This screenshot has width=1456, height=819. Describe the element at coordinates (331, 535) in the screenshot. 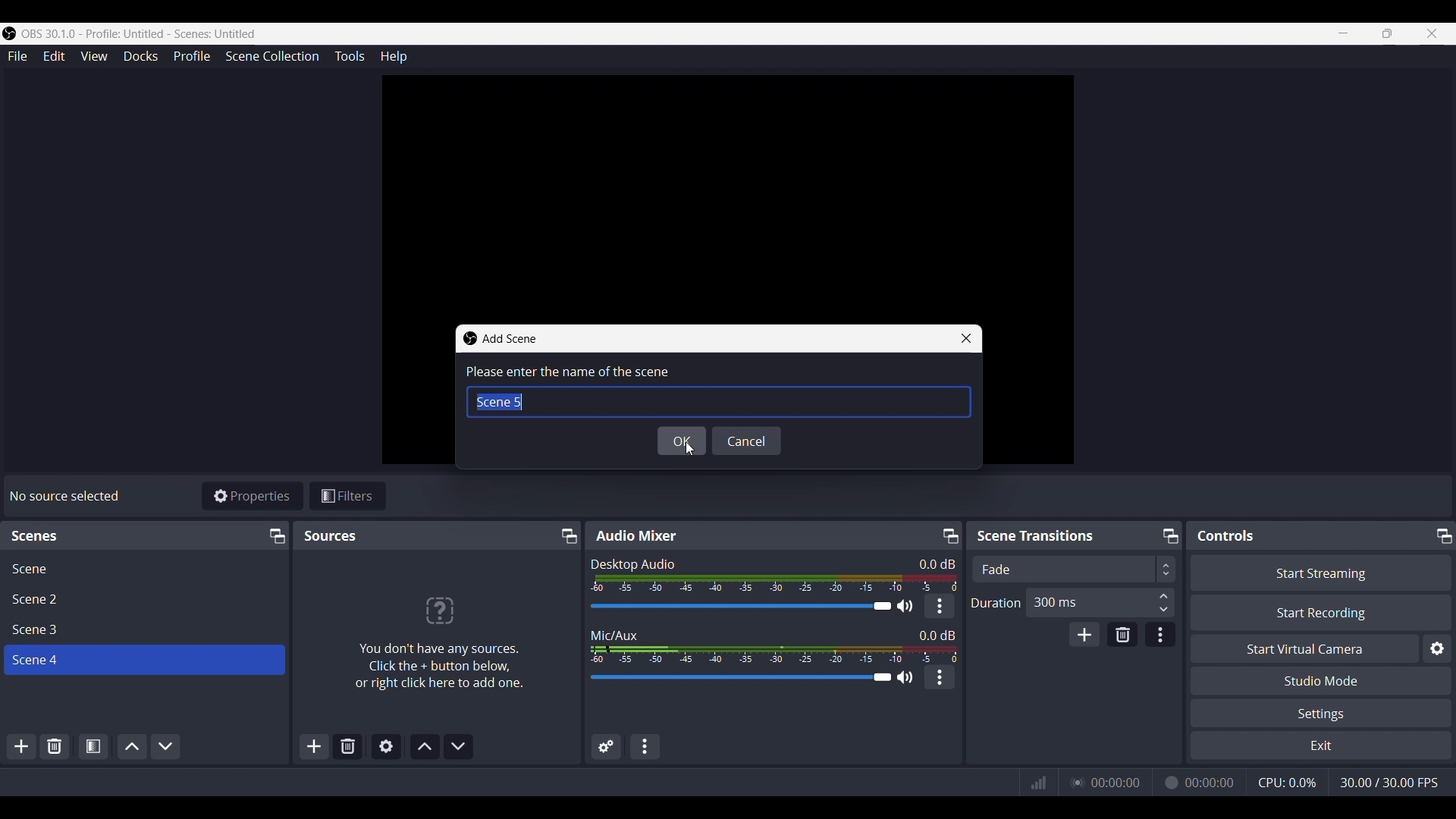

I see `Sources` at that location.